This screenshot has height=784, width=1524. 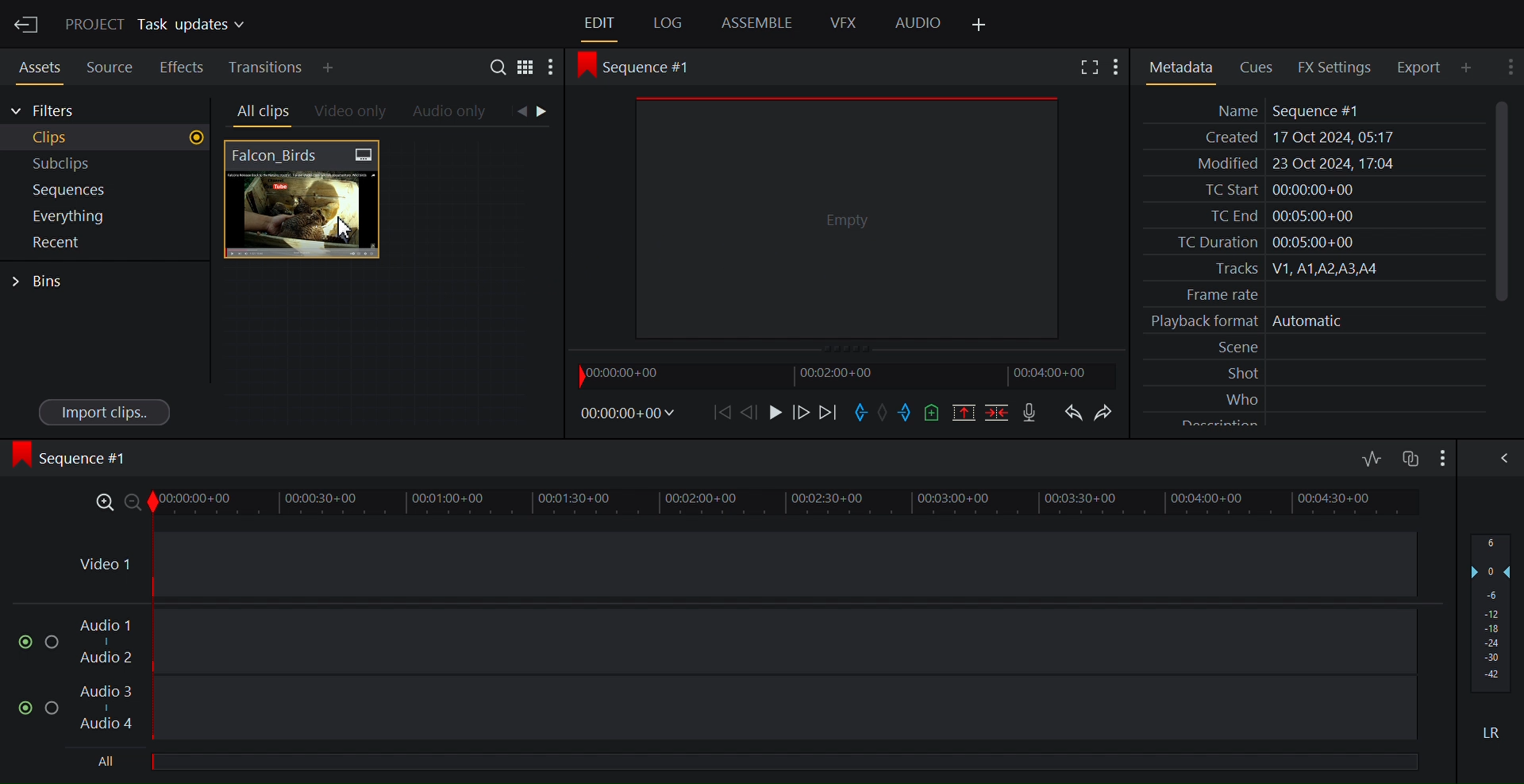 I want to click on Clips, so click(x=106, y=138).